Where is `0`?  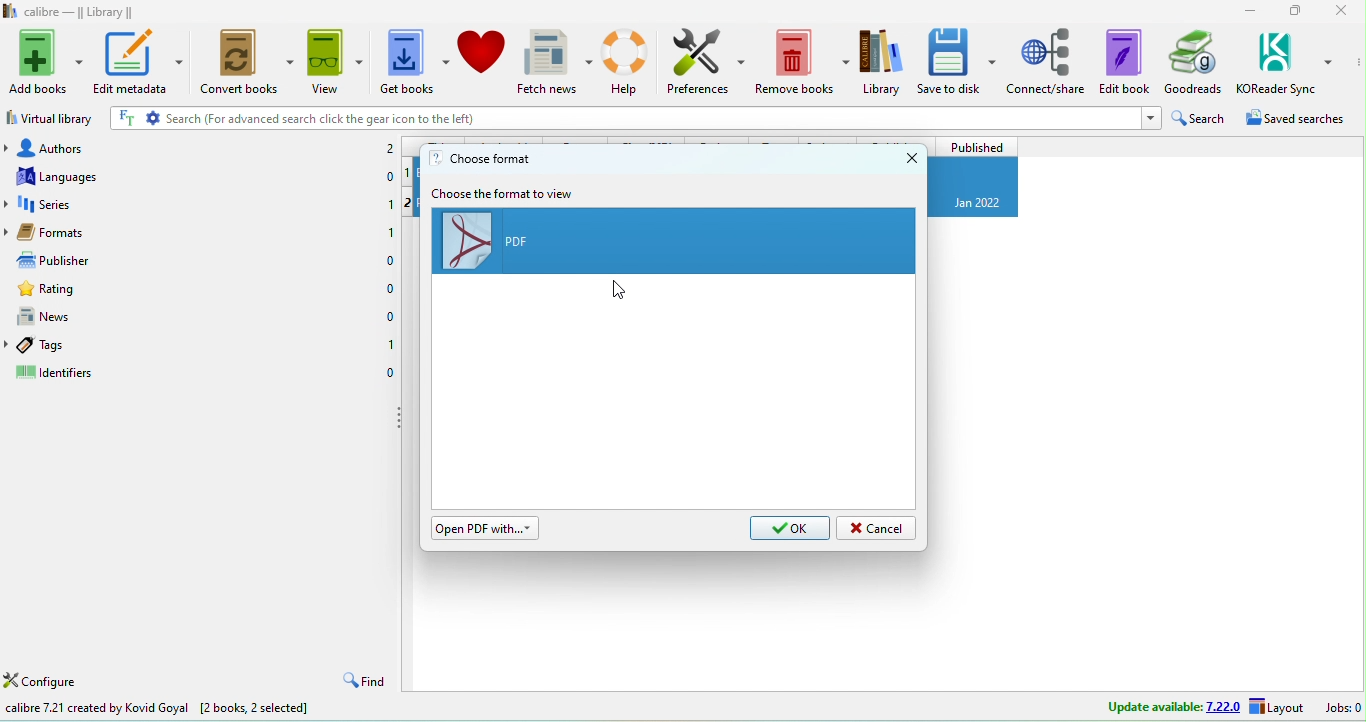
0 is located at coordinates (389, 317).